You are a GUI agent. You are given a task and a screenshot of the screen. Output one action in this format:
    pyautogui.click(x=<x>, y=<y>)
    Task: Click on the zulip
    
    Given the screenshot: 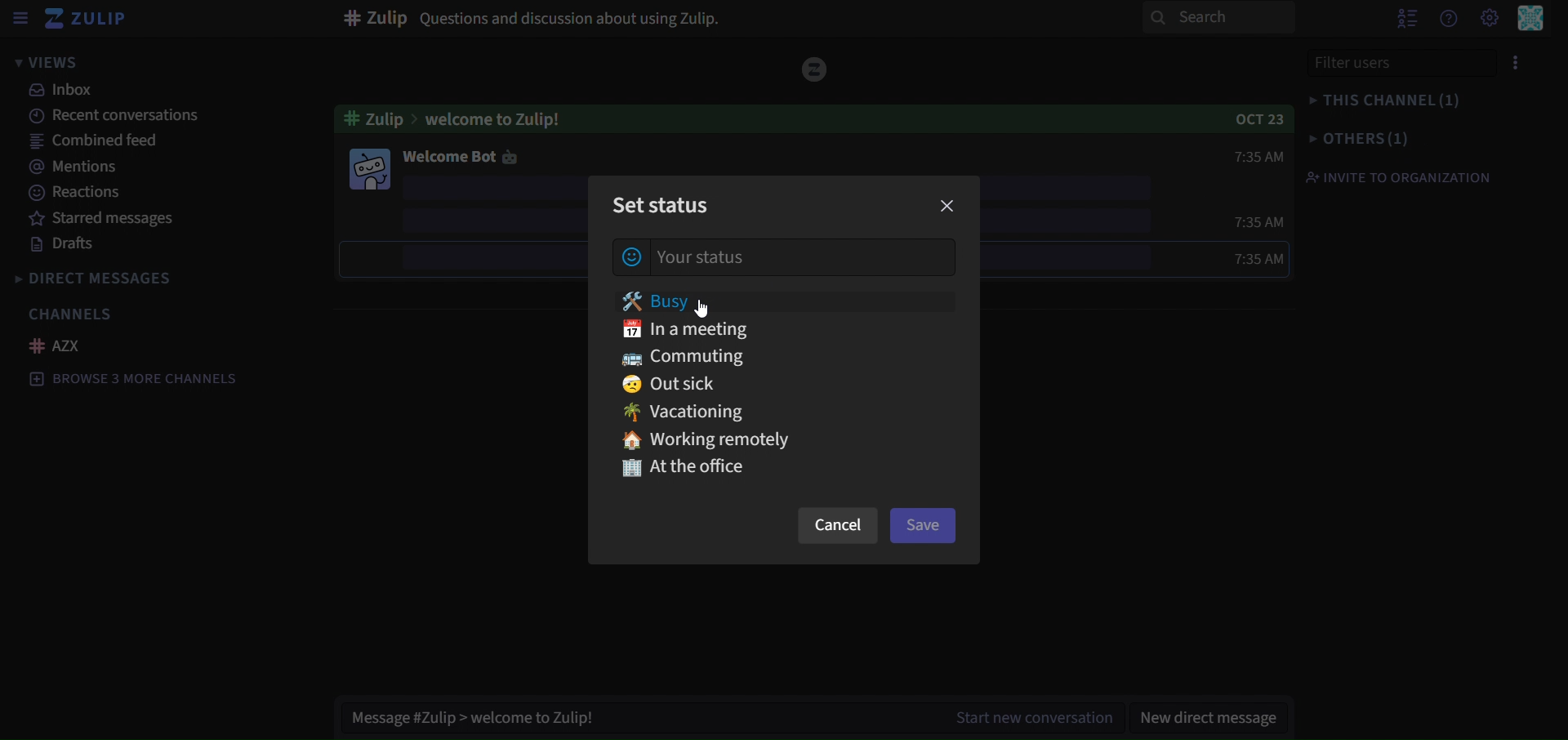 What is the action you would take?
    pyautogui.click(x=87, y=20)
    